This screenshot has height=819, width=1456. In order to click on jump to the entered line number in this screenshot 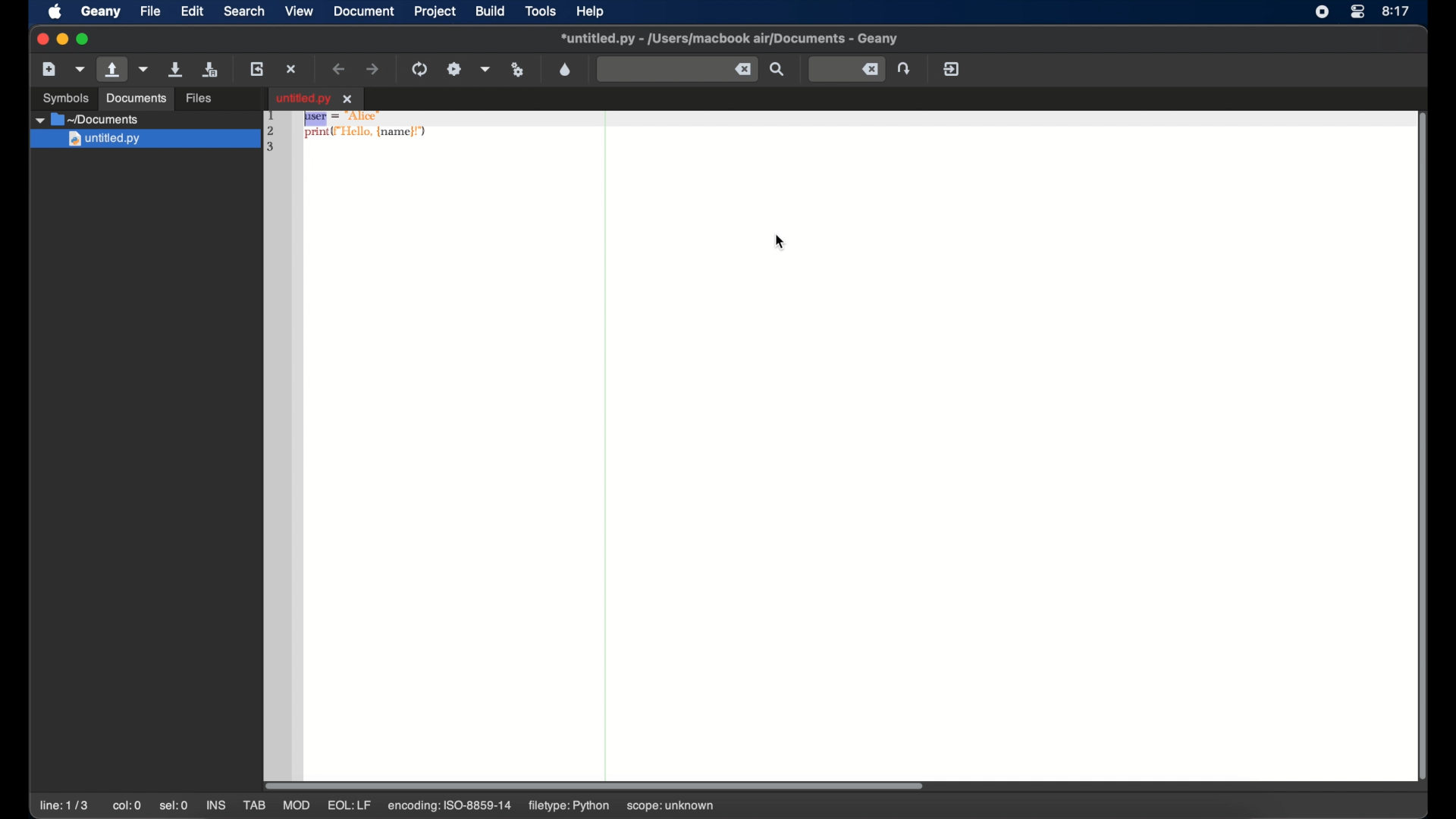, I will do `click(904, 68)`.